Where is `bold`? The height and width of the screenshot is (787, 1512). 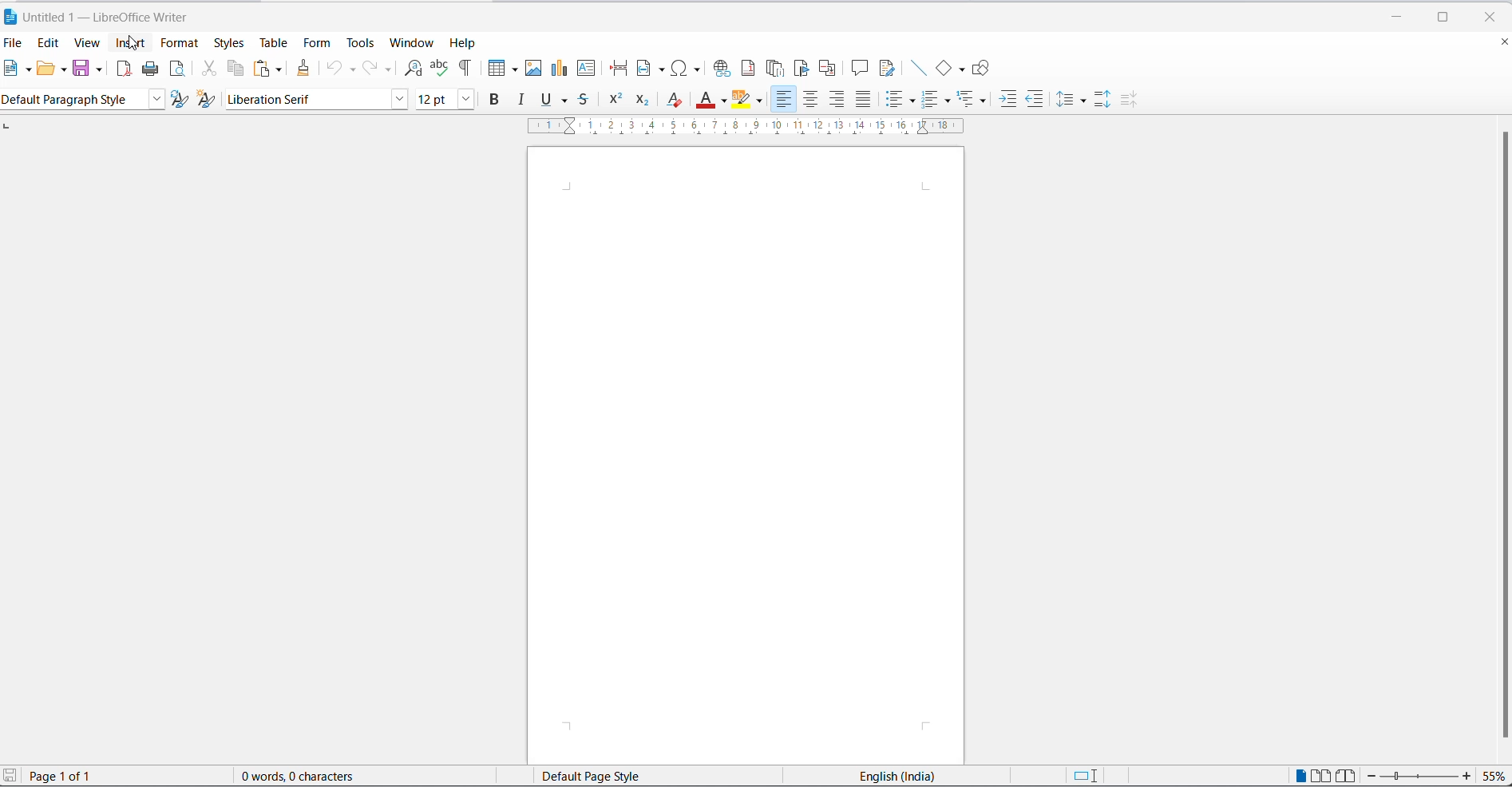
bold is located at coordinates (498, 100).